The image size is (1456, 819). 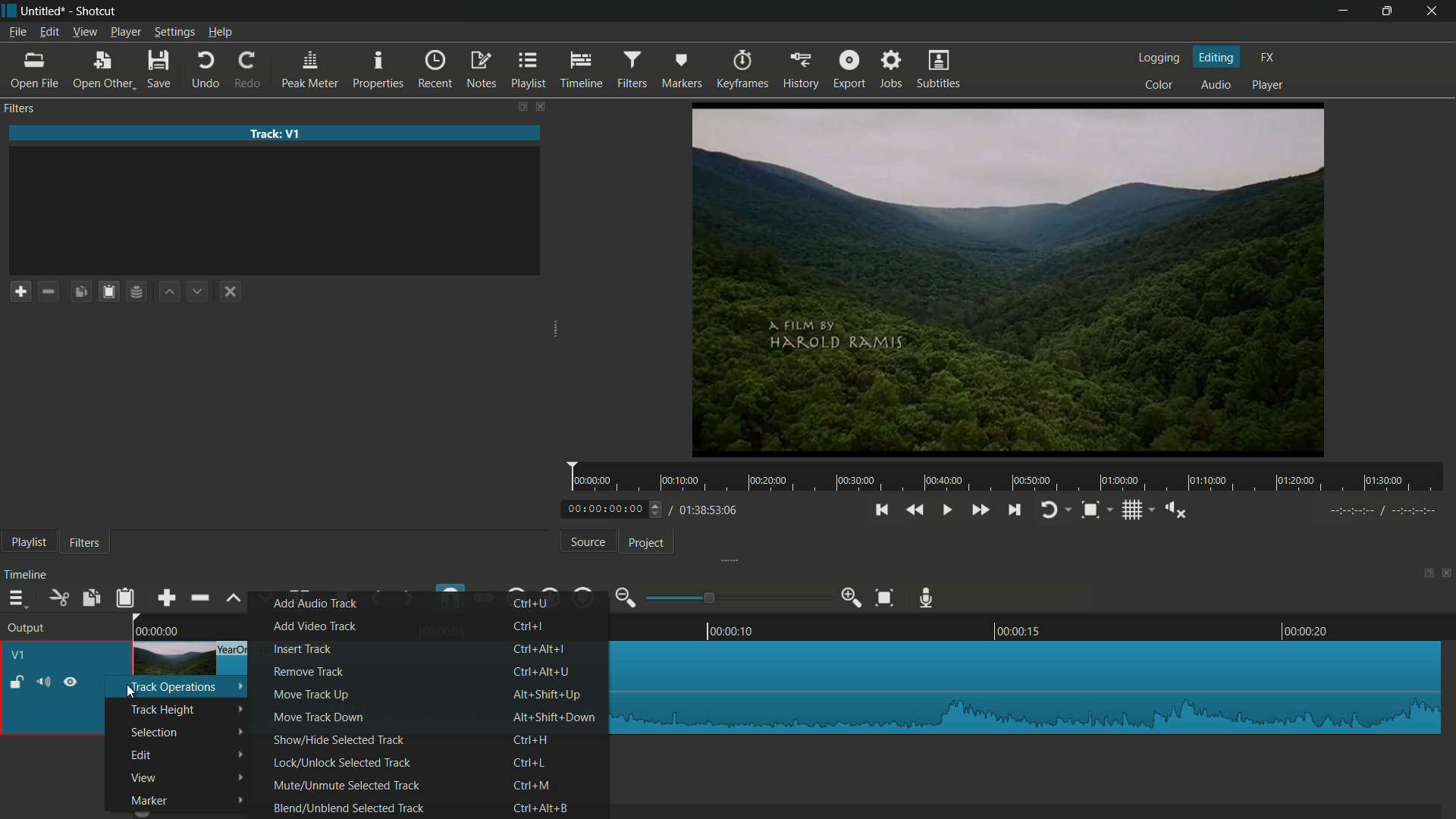 I want to click on remove a filter, so click(x=49, y=291).